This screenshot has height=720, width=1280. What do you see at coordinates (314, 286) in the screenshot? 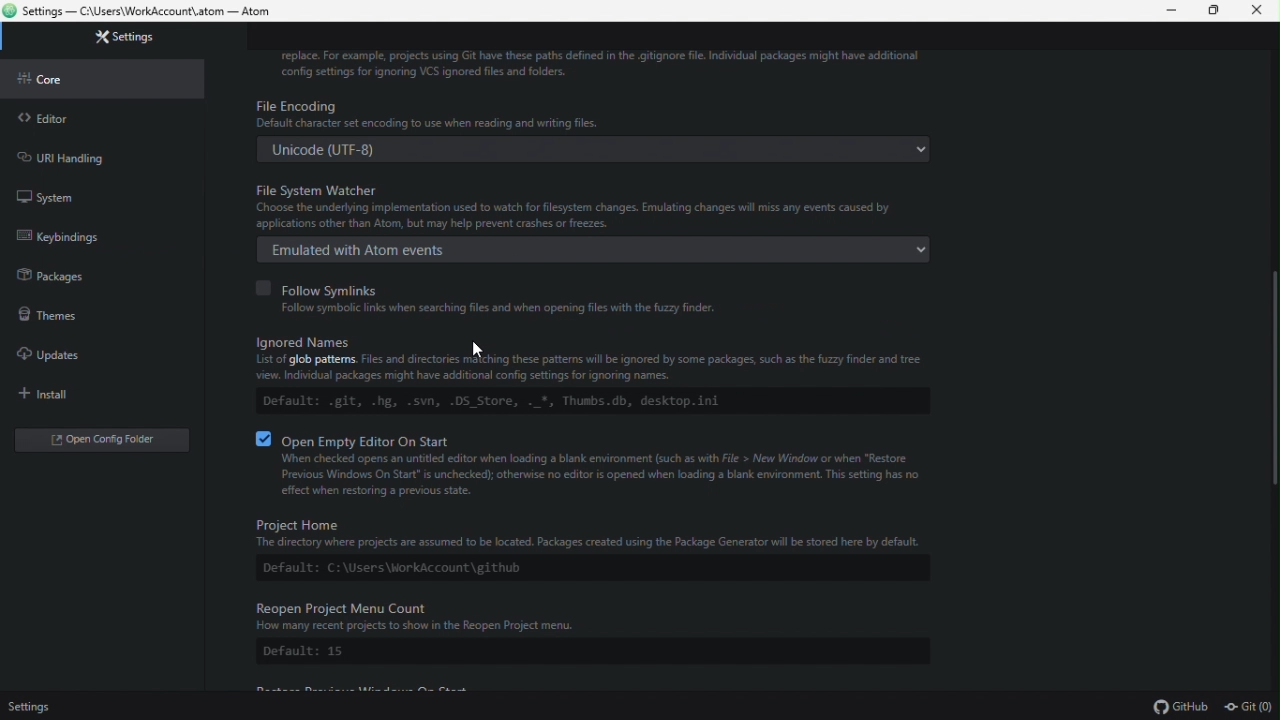
I see `Follow Symilinks` at bounding box center [314, 286].